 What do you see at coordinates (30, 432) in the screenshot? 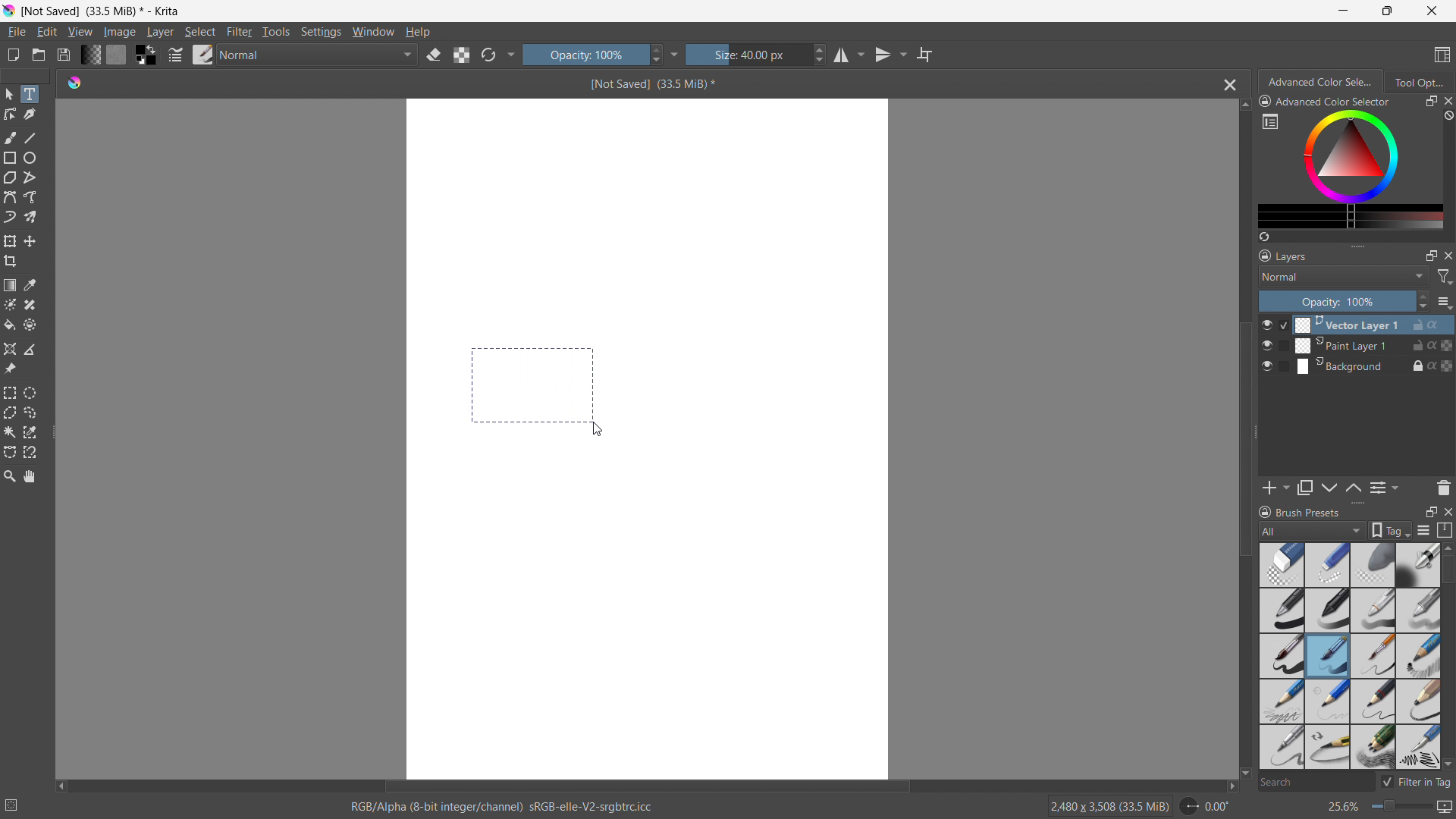
I see `same color selection tool` at bounding box center [30, 432].